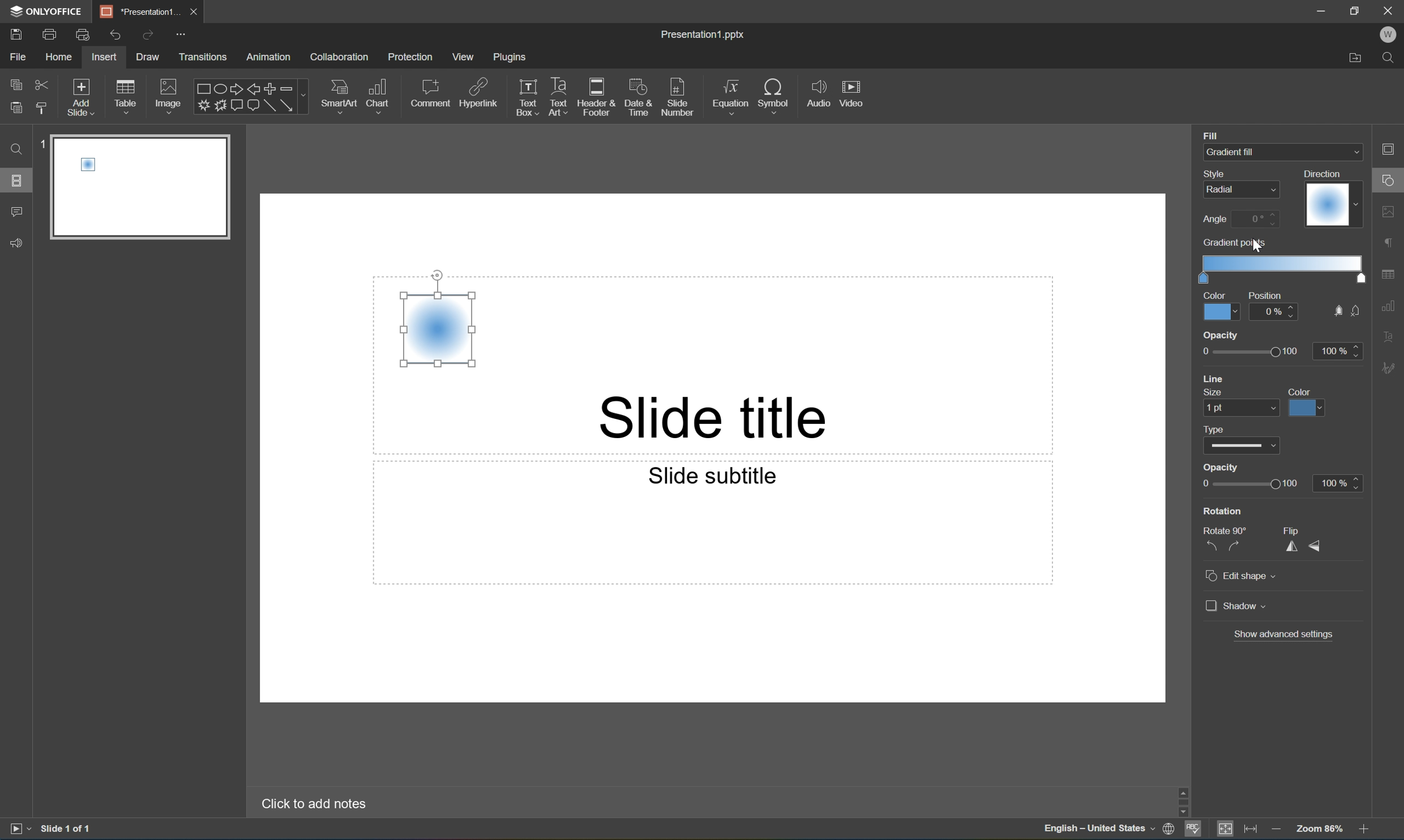 This screenshot has width=1404, height=840. Describe the element at coordinates (437, 328) in the screenshot. I see `Radial` at that location.